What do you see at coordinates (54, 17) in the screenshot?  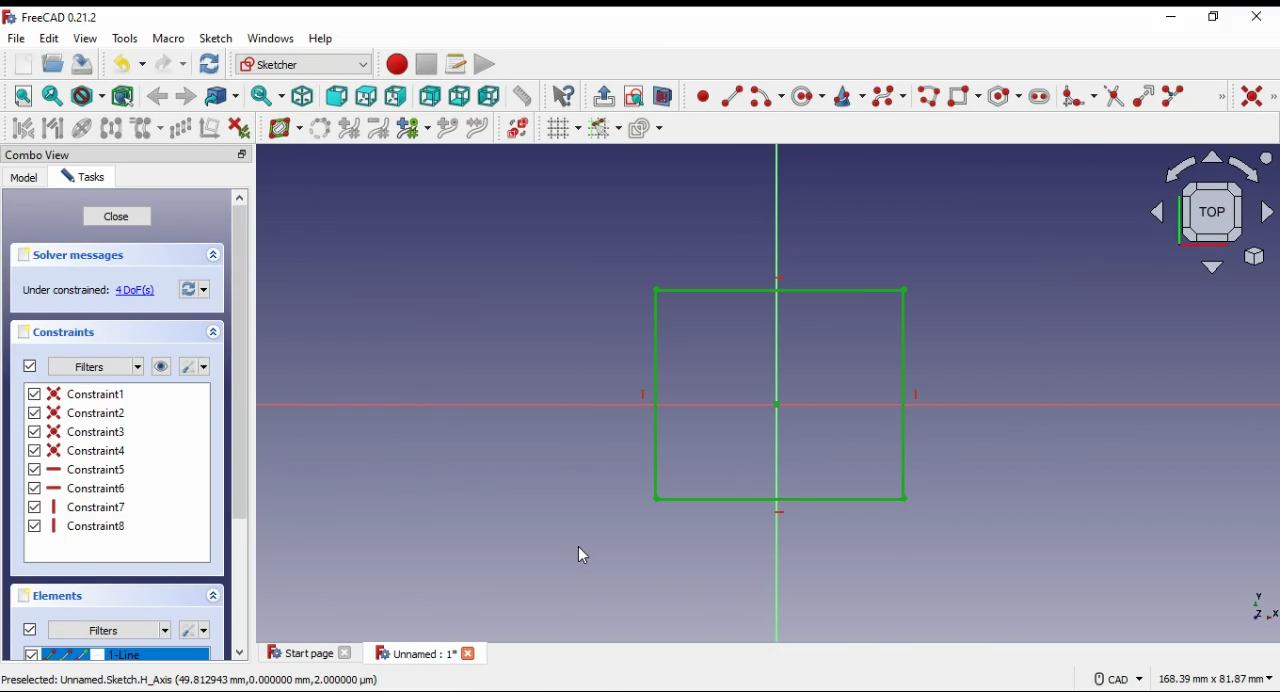 I see `icon and window name` at bounding box center [54, 17].